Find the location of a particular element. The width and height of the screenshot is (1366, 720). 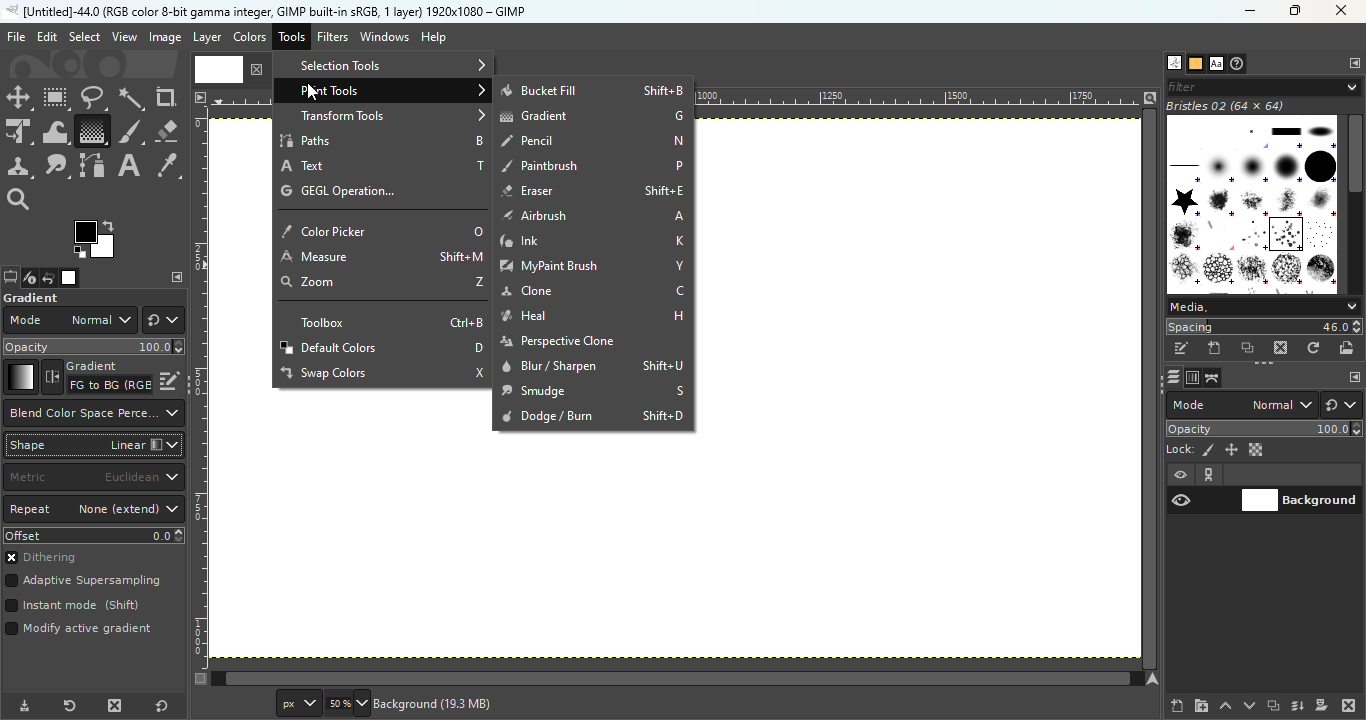

Image is located at coordinates (164, 38).